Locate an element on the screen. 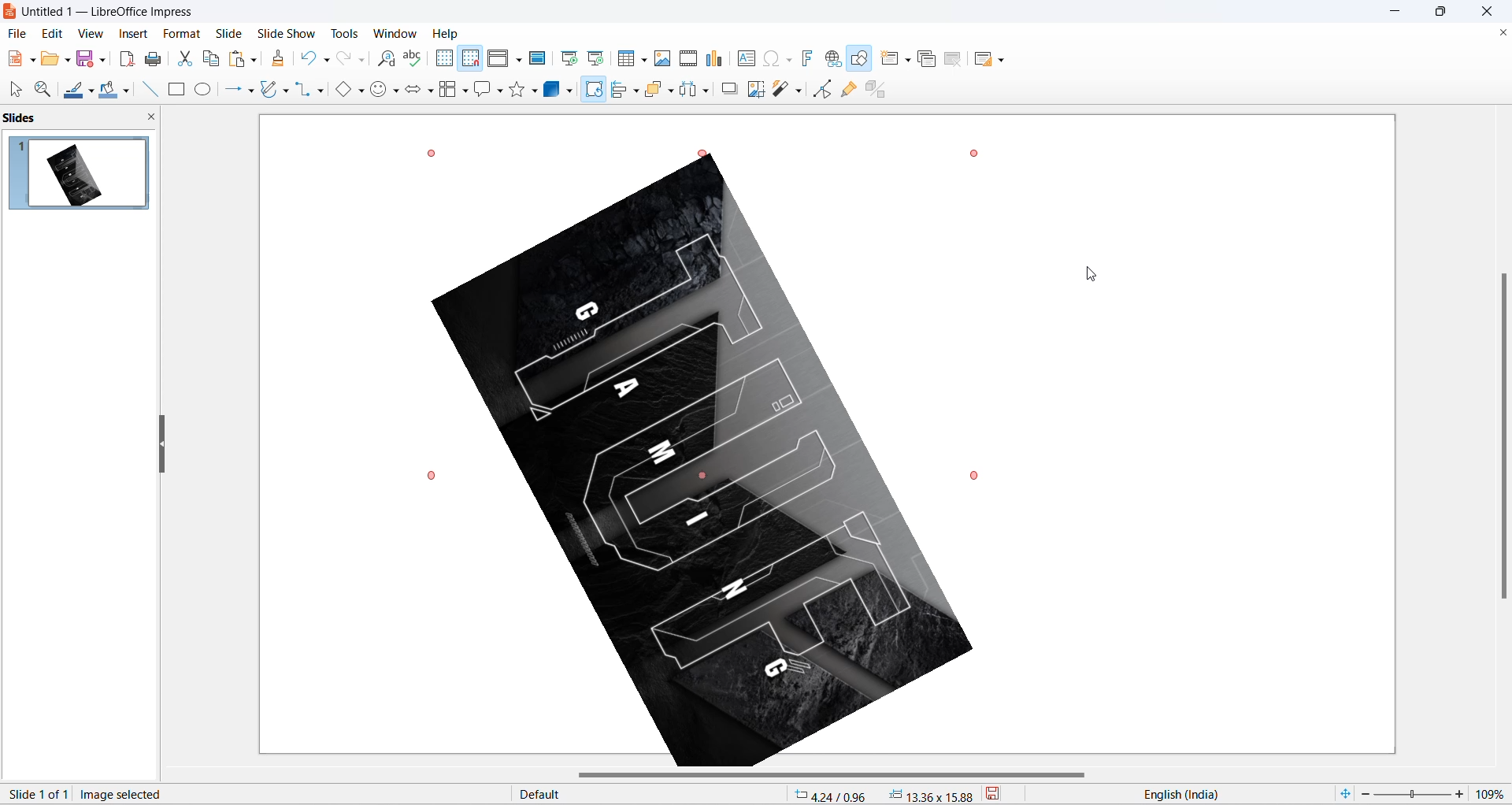 This screenshot has height=805, width=1512. minimize is located at coordinates (1397, 12).